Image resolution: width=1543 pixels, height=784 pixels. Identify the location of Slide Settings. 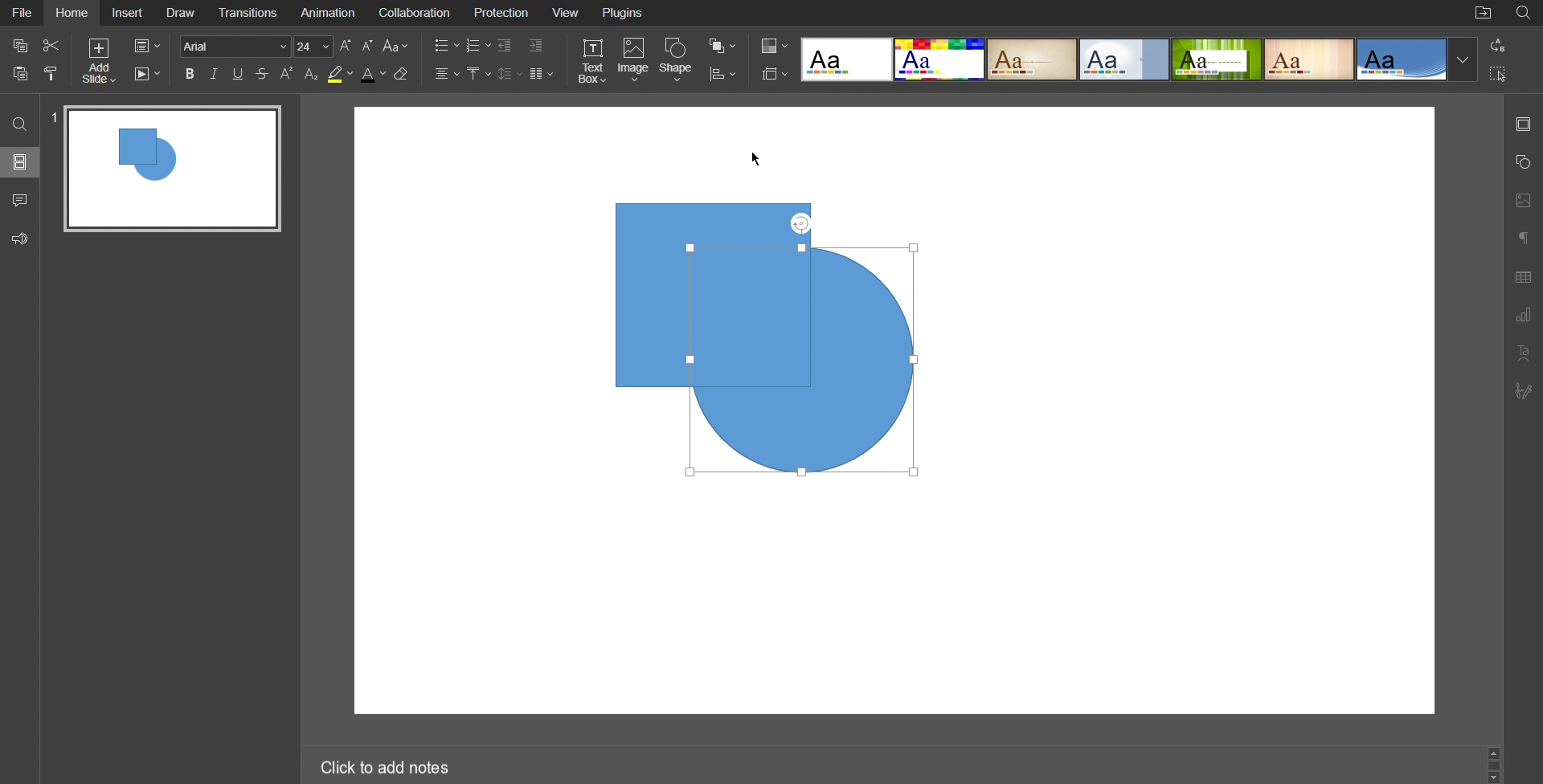
(148, 43).